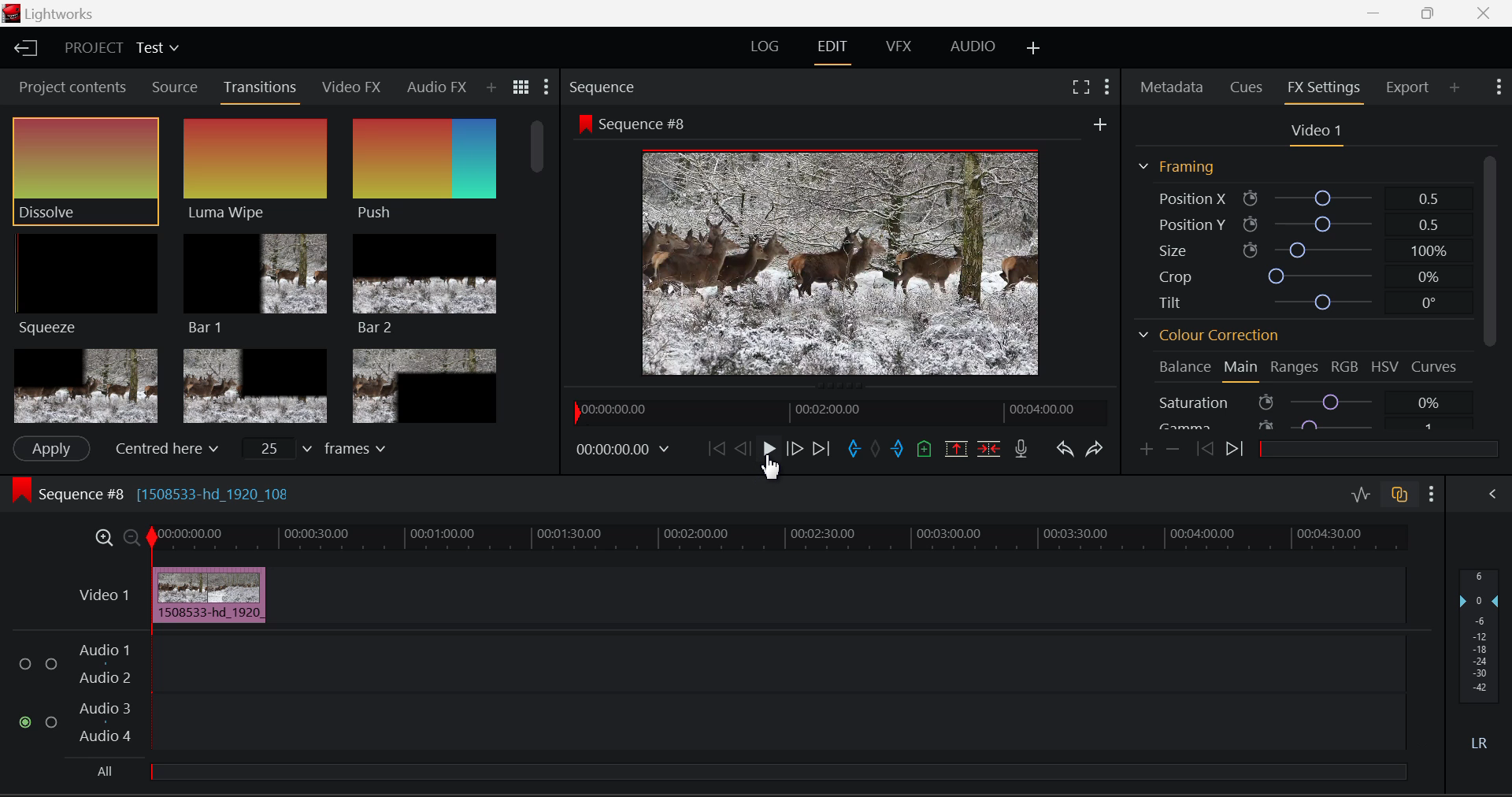 Image resolution: width=1512 pixels, height=797 pixels. Describe the element at coordinates (50, 13) in the screenshot. I see `Window Title` at that location.